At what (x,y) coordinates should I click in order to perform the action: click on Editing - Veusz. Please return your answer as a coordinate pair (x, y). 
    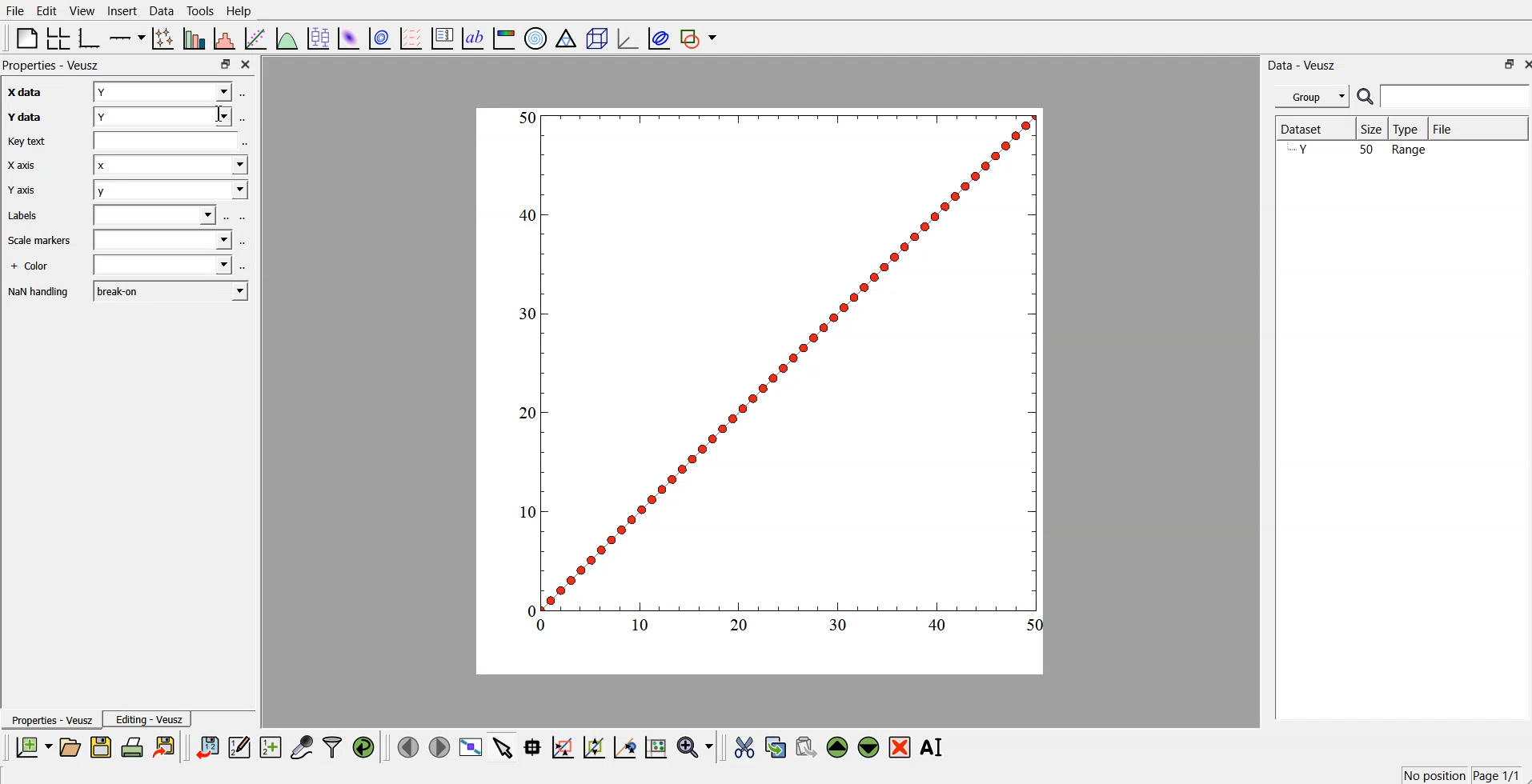
    Looking at the image, I should click on (150, 719).